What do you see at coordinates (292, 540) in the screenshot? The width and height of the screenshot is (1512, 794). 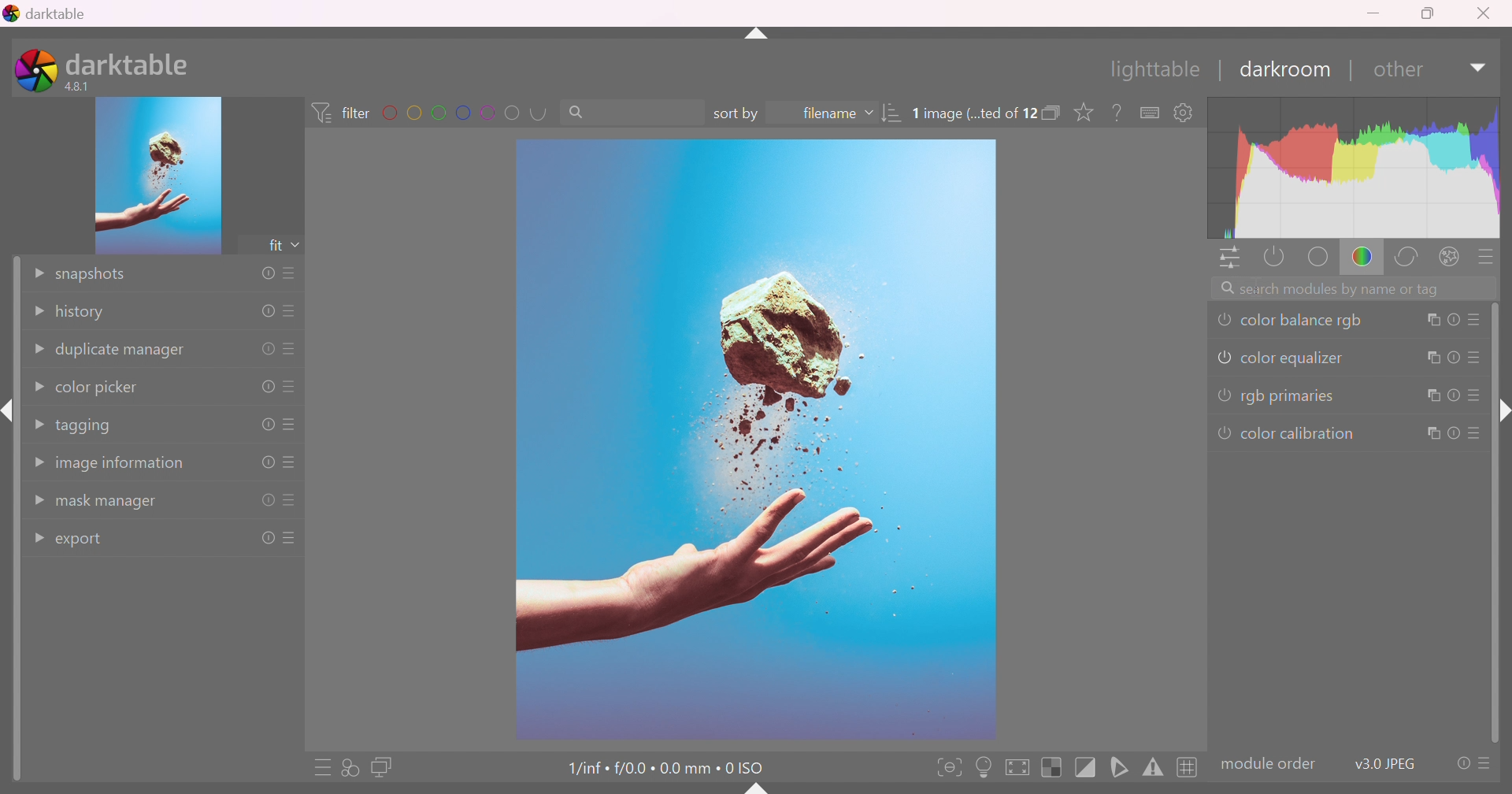 I see `presets` at bounding box center [292, 540].